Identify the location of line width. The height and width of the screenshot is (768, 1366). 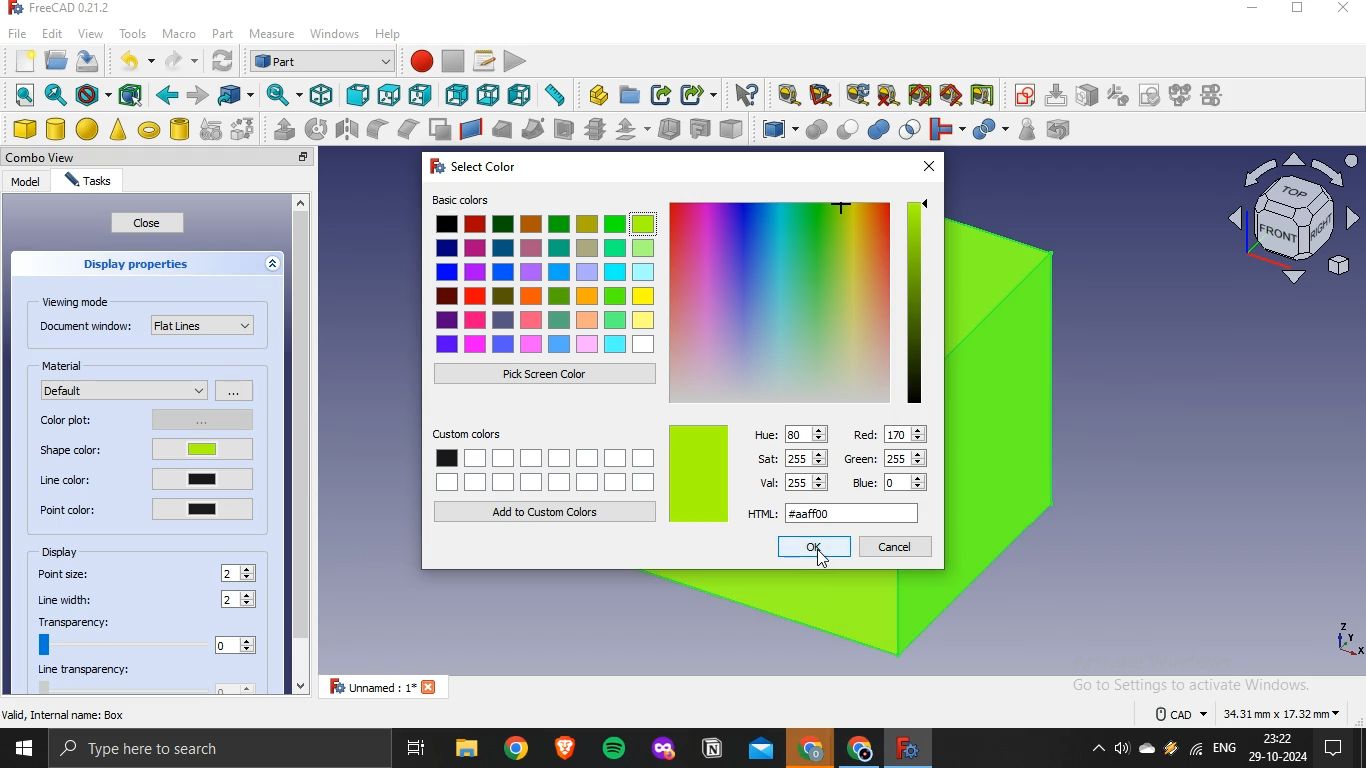
(68, 600).